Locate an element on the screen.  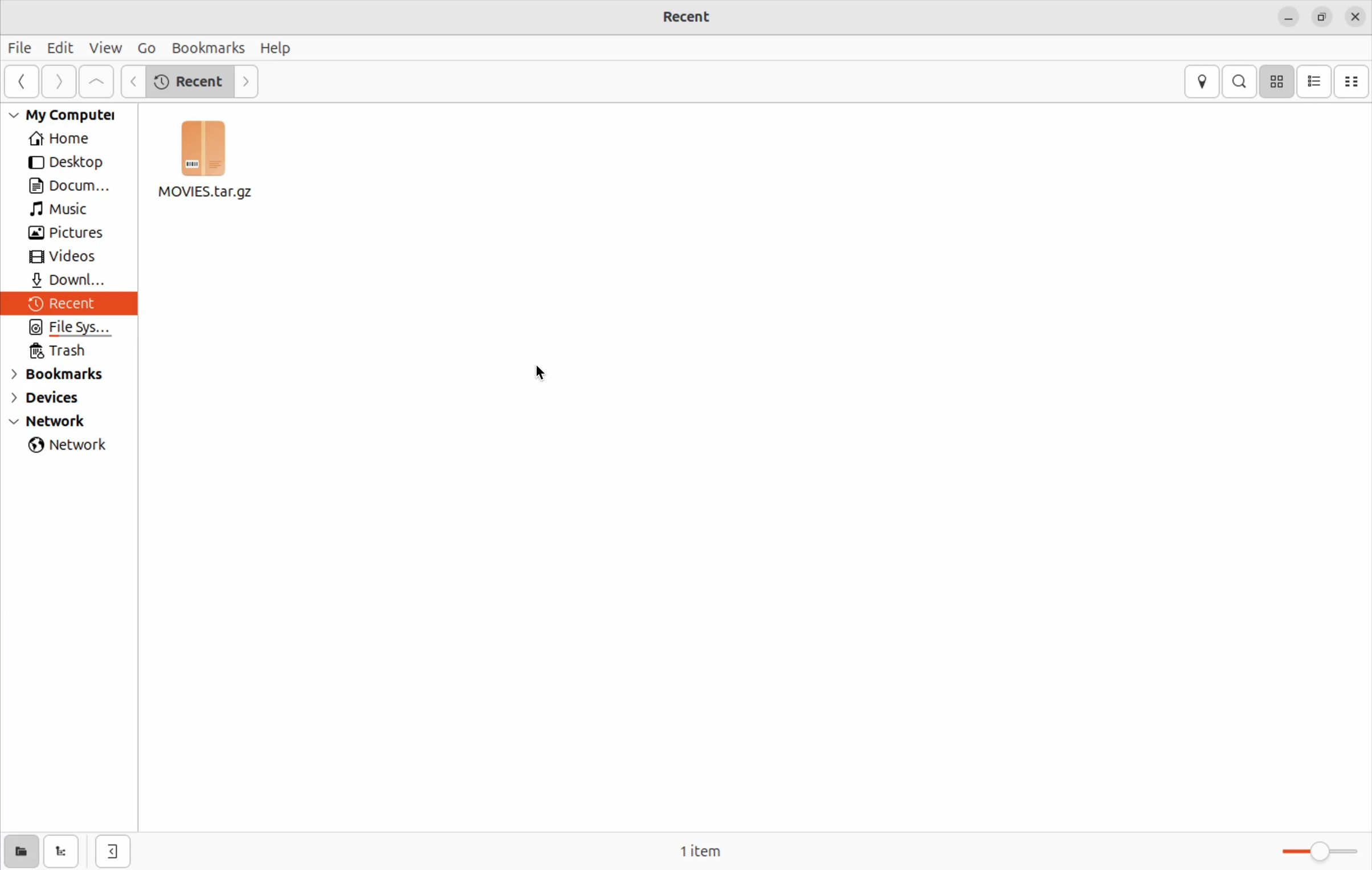
Edit is located at coordinates (62, 47).